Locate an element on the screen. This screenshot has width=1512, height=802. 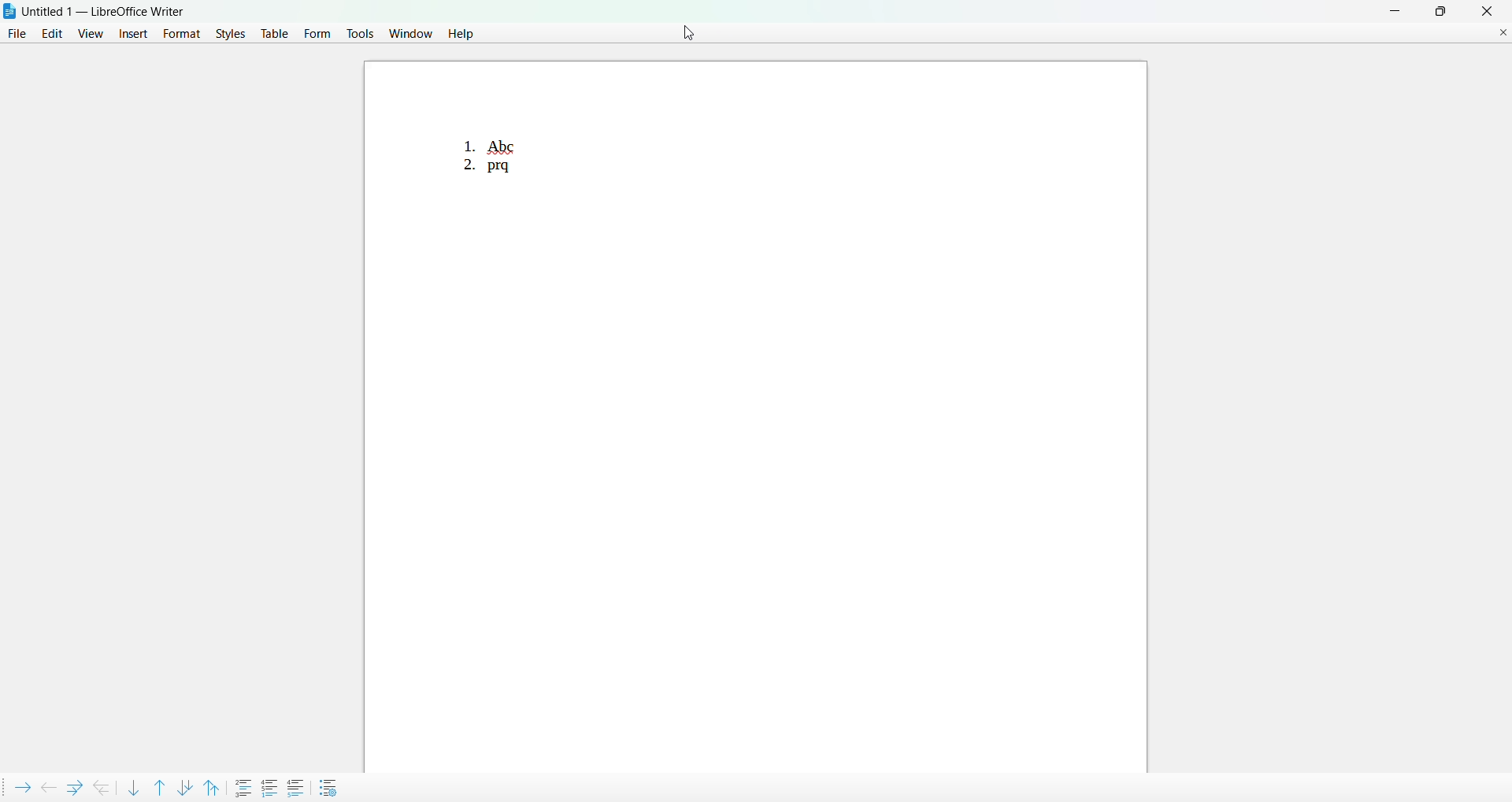
table is located at coordinates (274, 35).